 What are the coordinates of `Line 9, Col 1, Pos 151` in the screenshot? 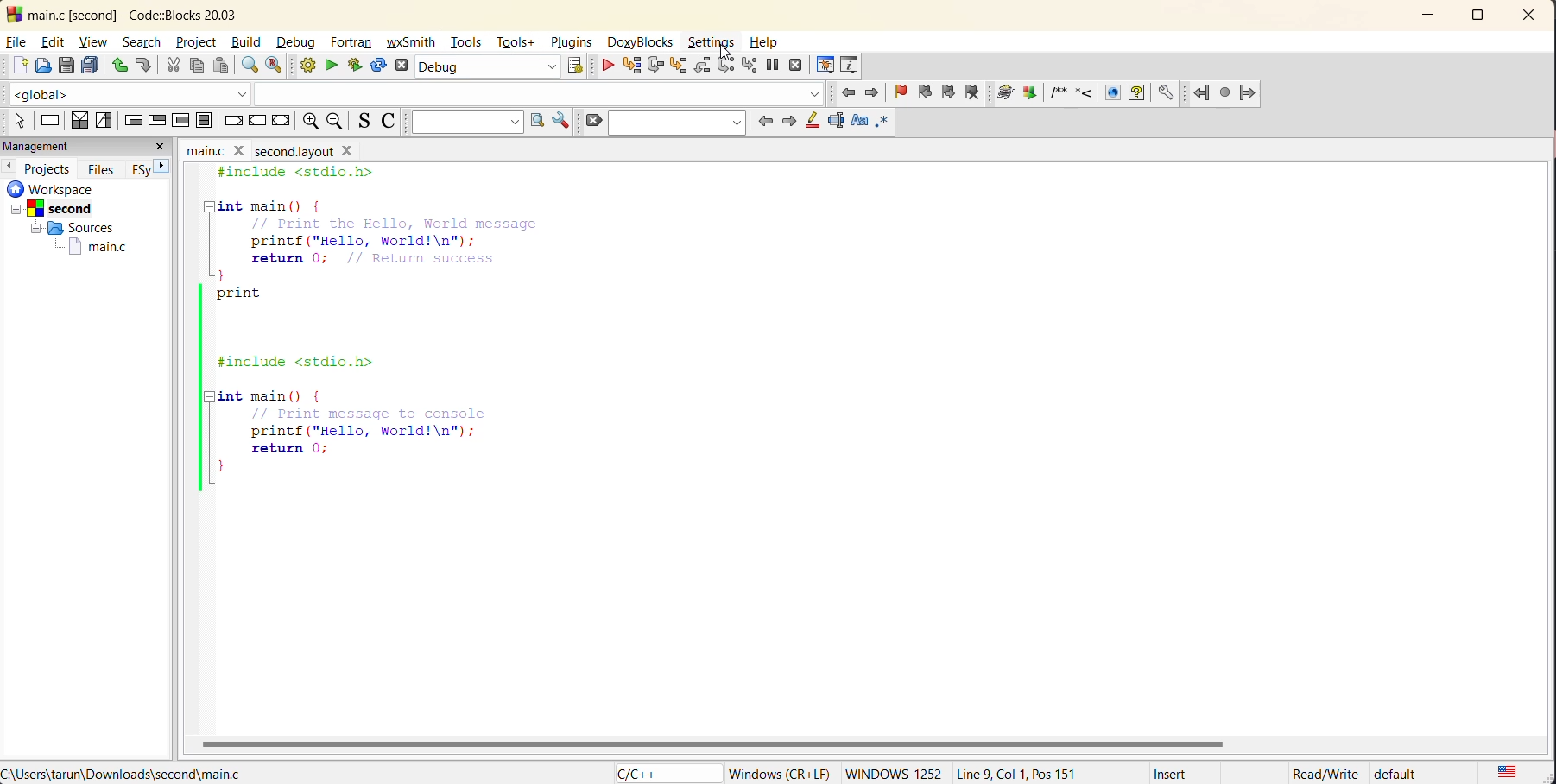 It's located at (1032, 769).